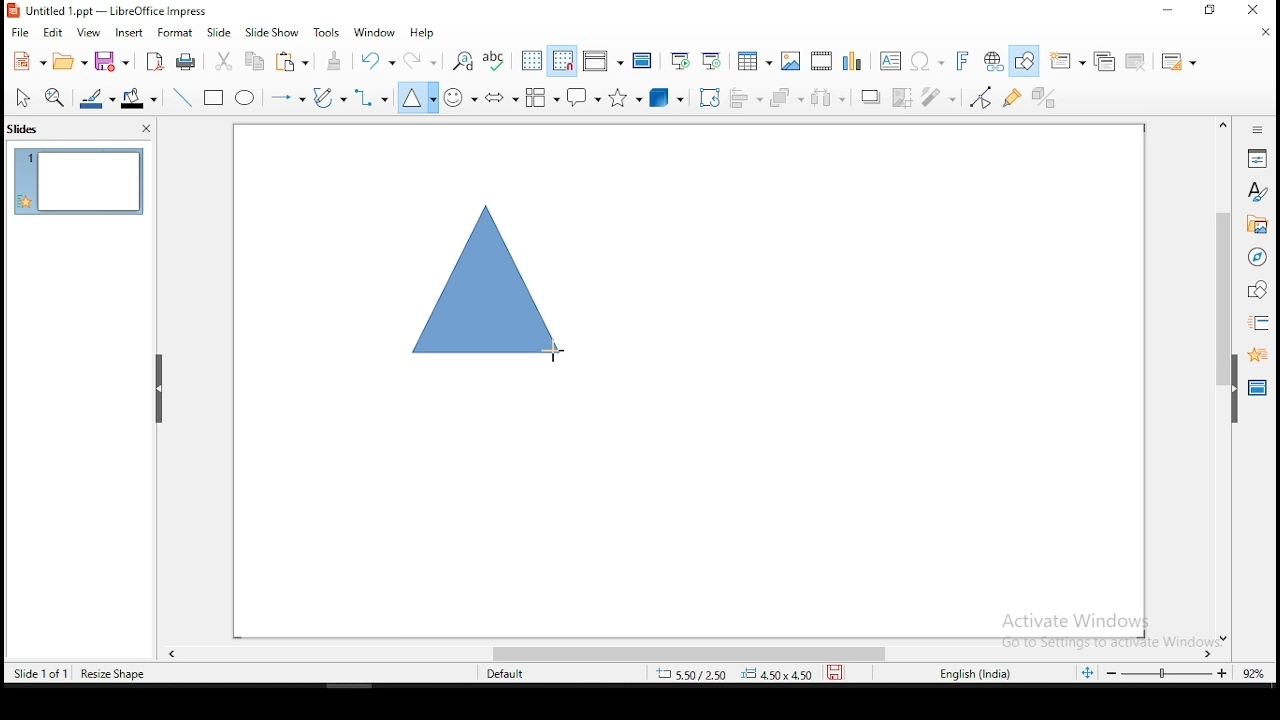 The height and width of the screenshot is (720, 1280). What do you see at coordinates (420, 60) in the screenshot?
I see `redo` at bounding box center [420, 60].